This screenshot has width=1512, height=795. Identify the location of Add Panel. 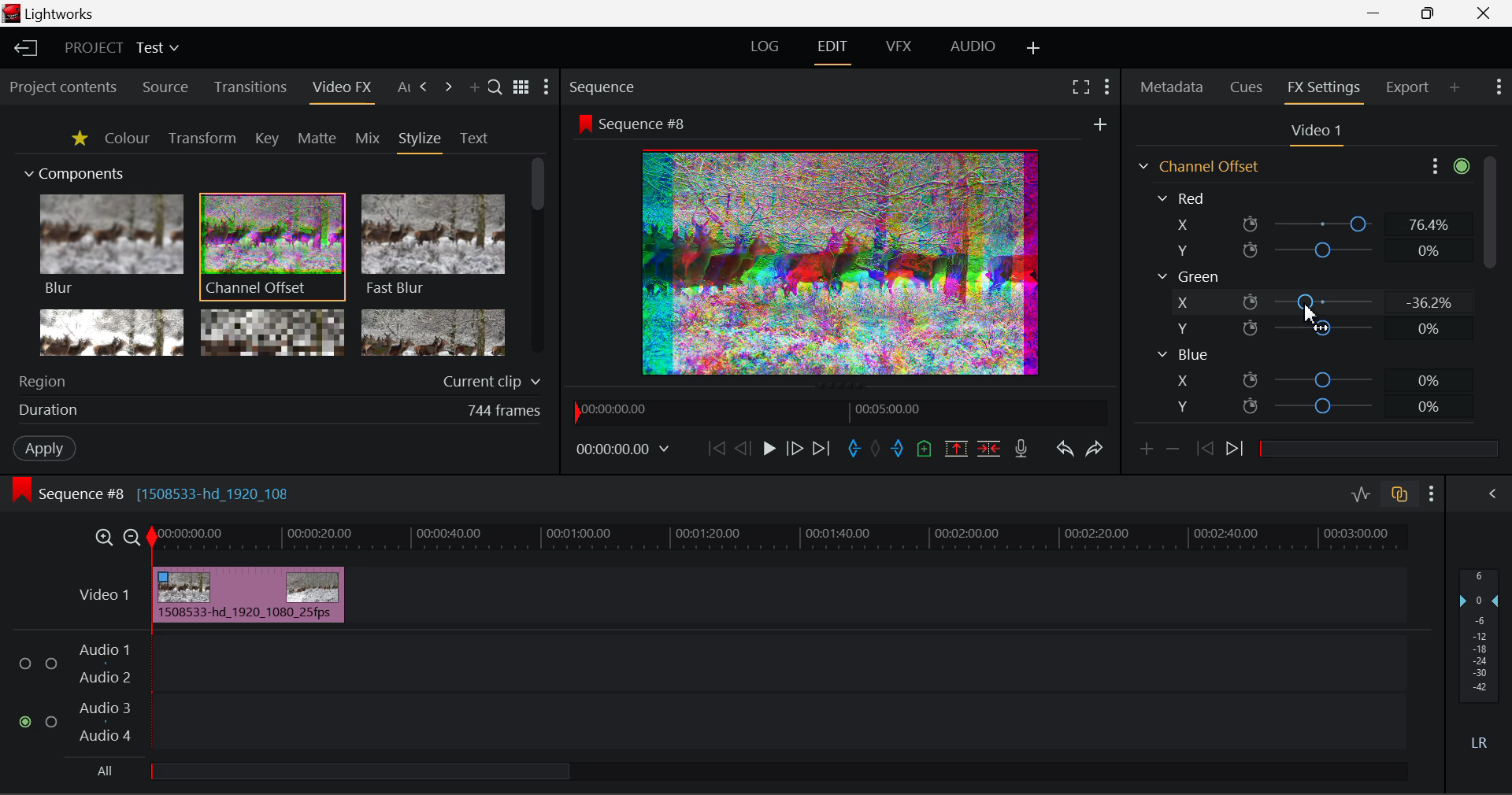
(474, 89).